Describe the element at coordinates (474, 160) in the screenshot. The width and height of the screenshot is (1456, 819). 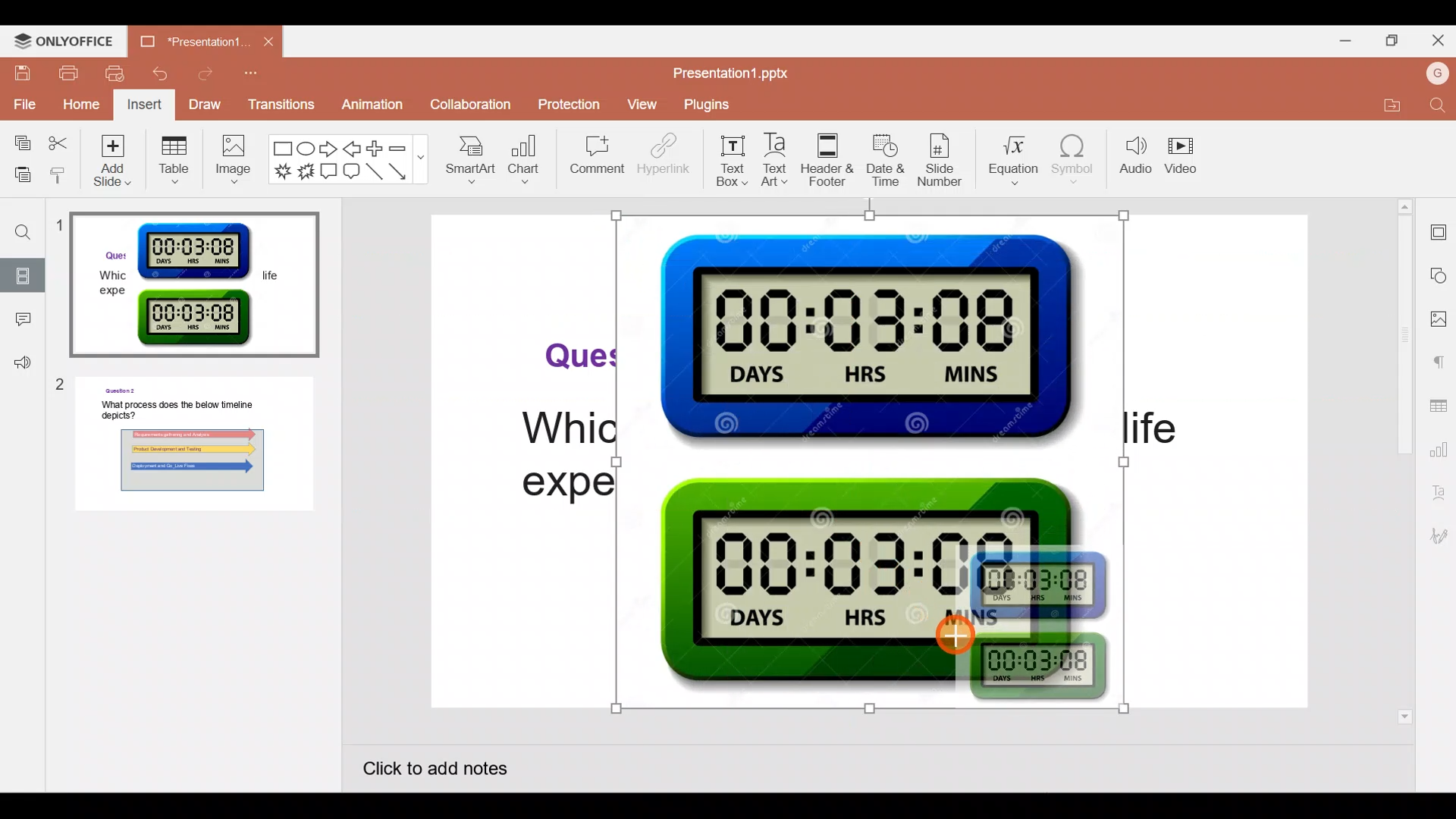
I see `SmartArt` at that location.